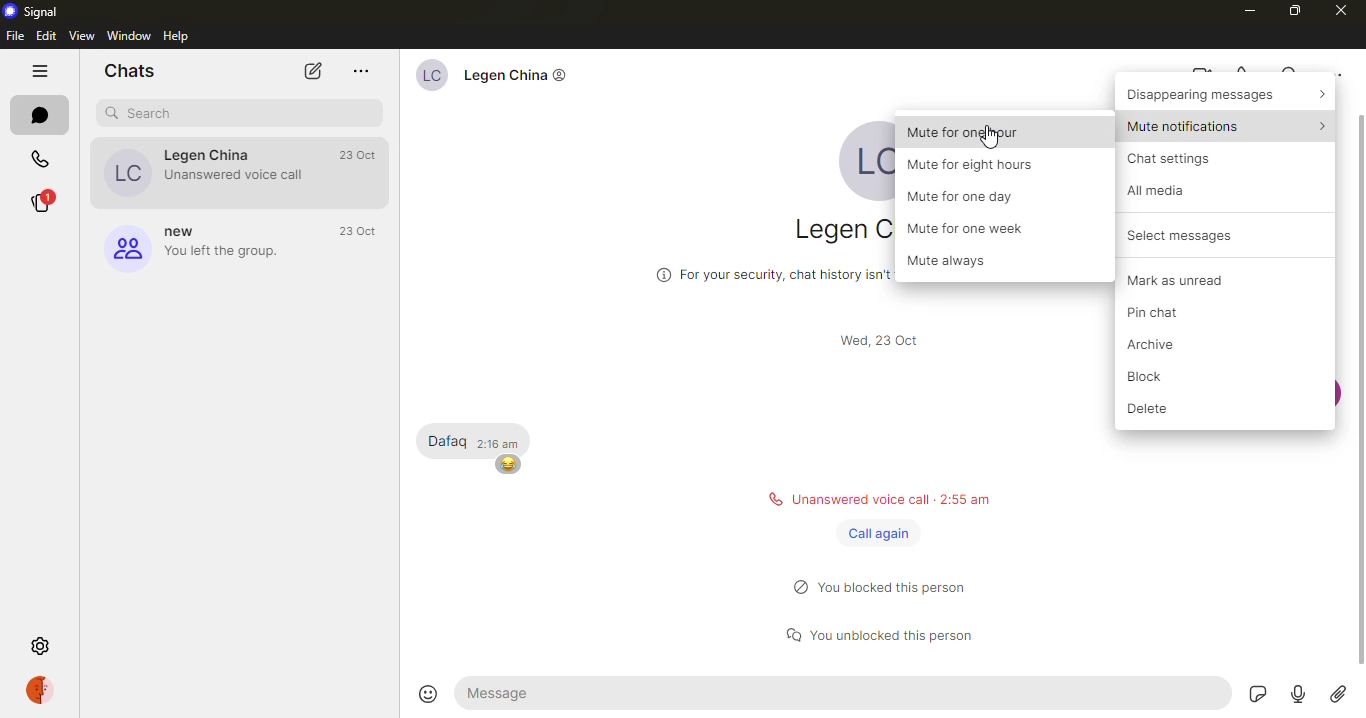 This screenshot has width=1366, height=718. I want to click on message, so click(844, 693).